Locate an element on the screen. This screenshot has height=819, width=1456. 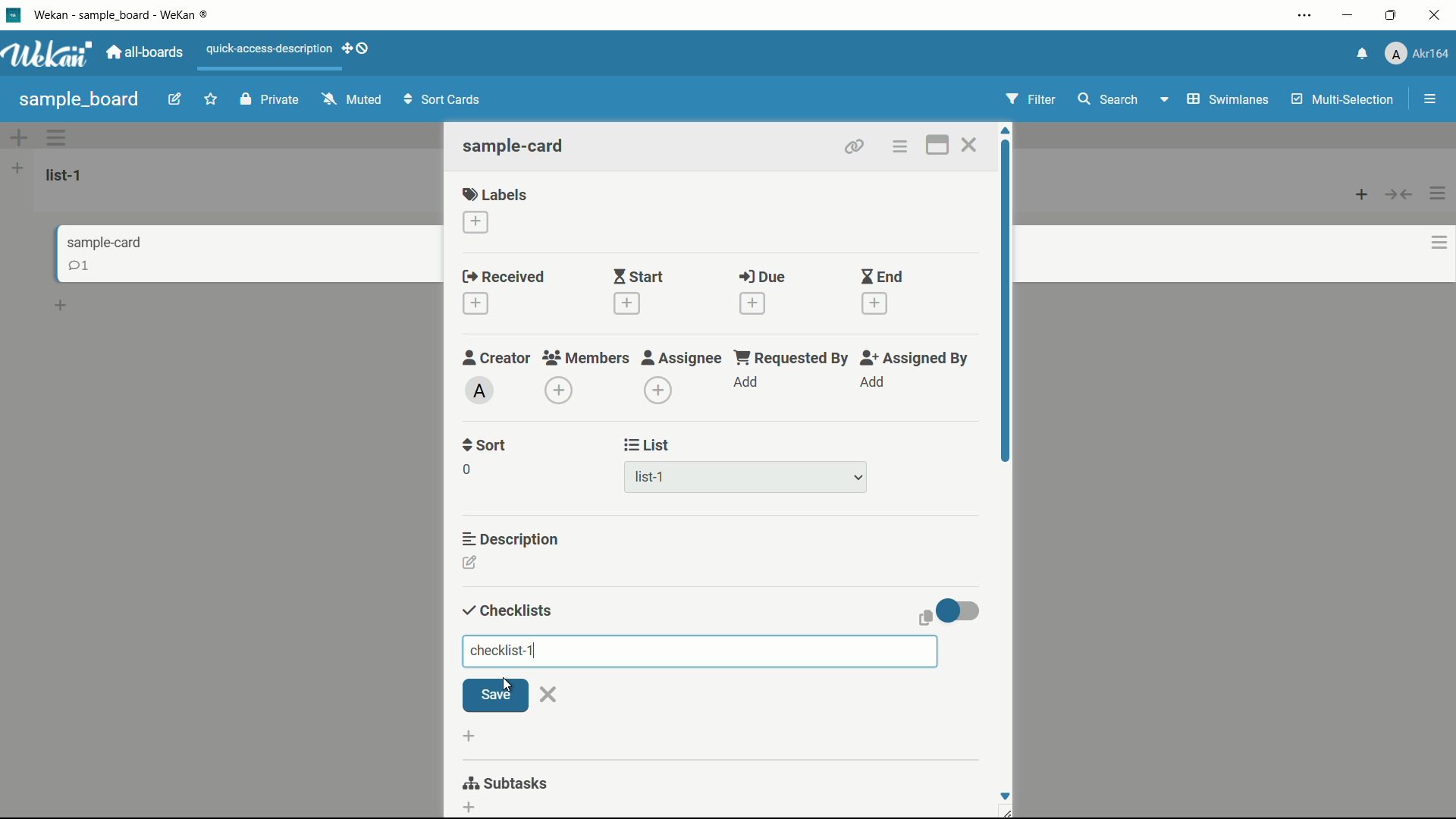
members is located at coordinates (588, 359).